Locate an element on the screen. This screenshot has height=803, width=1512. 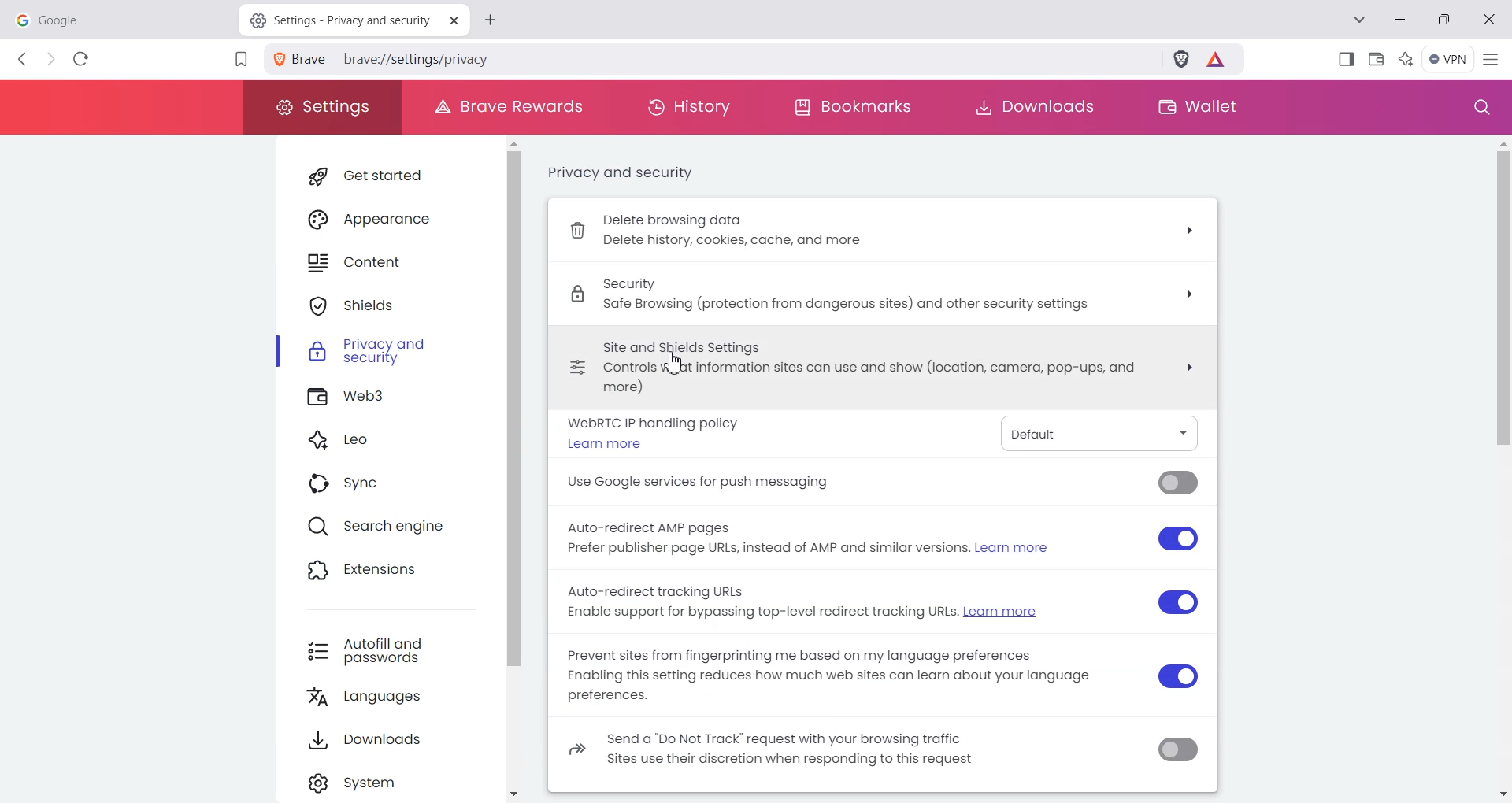
Site and Shields Settings Controls t information sites can use and show (location, camera, pop-ups, and more) is located at coordinates (884, 364).